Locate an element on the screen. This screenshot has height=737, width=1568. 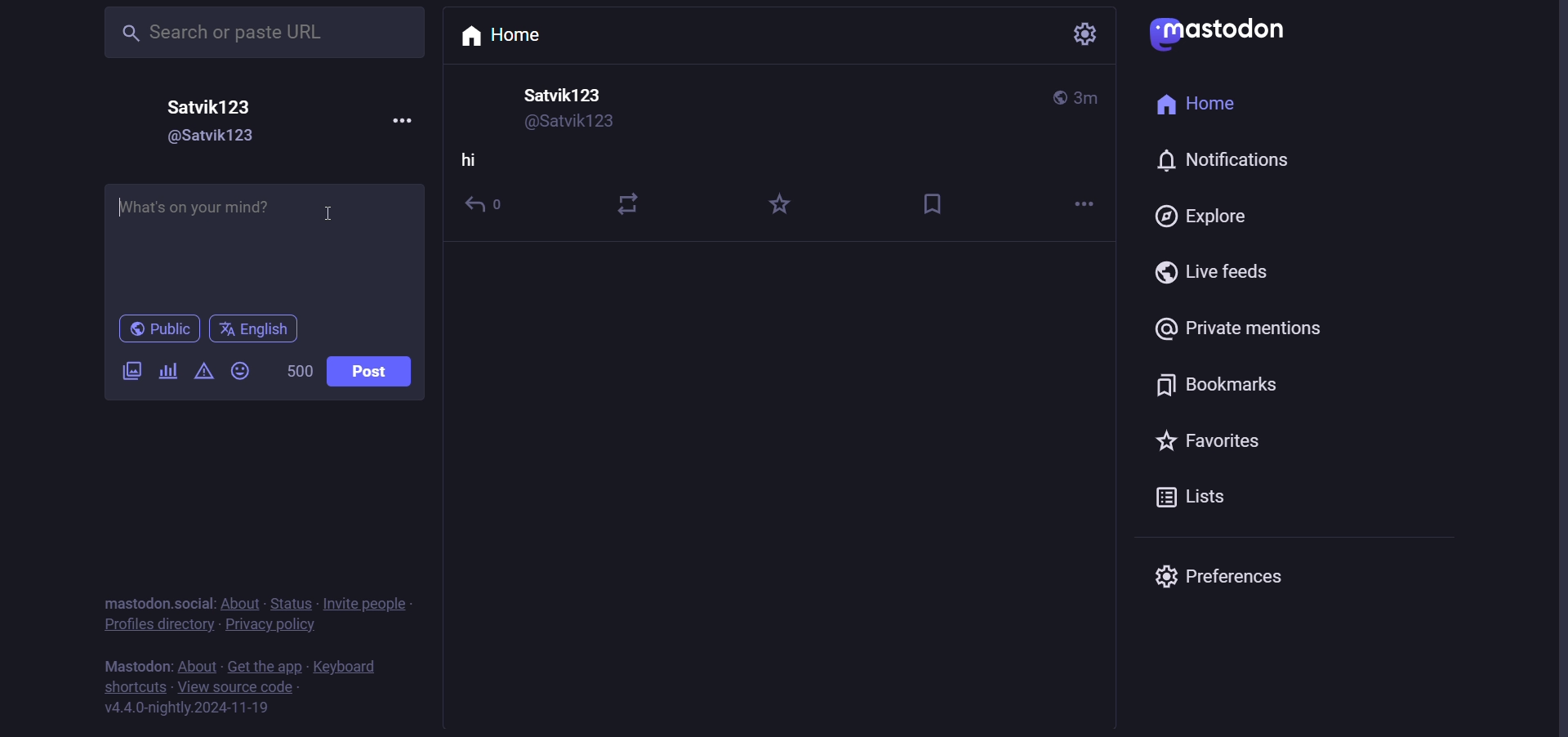
get the app is located at coordinates (262, 666).